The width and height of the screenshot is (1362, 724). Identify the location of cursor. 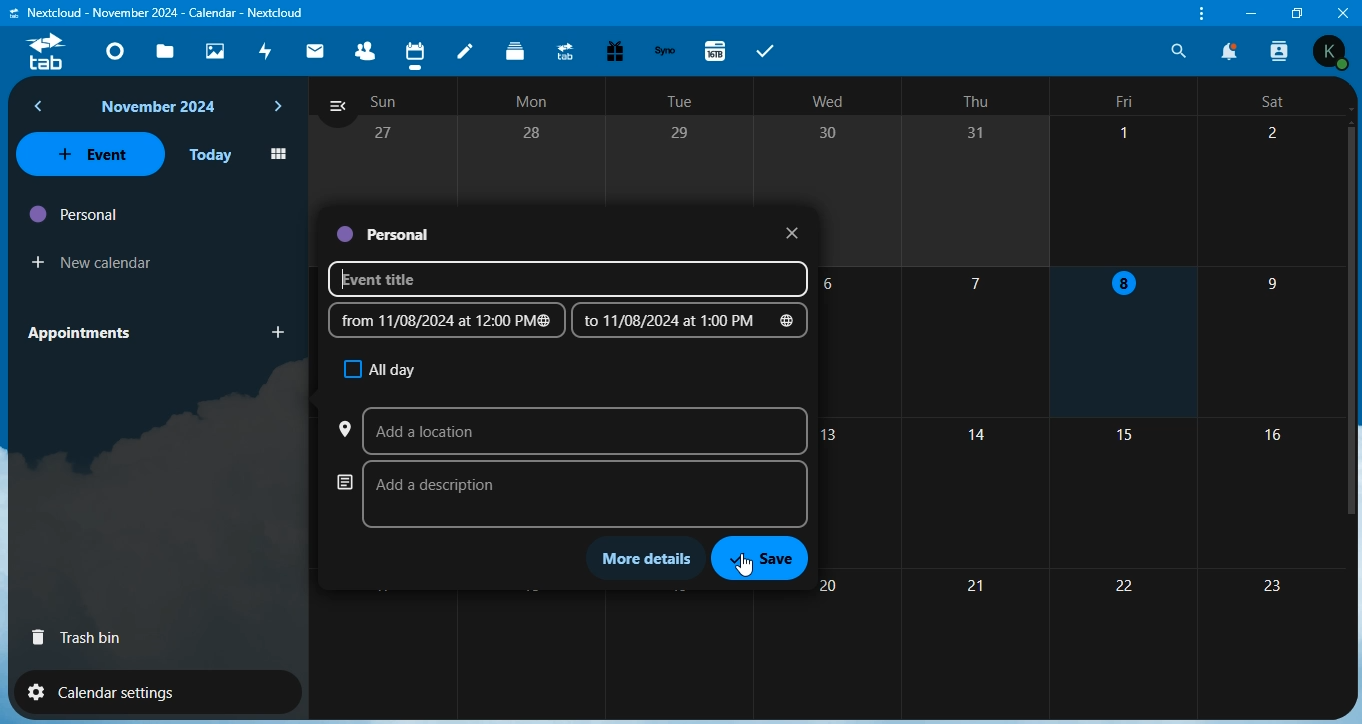
(755, 566).